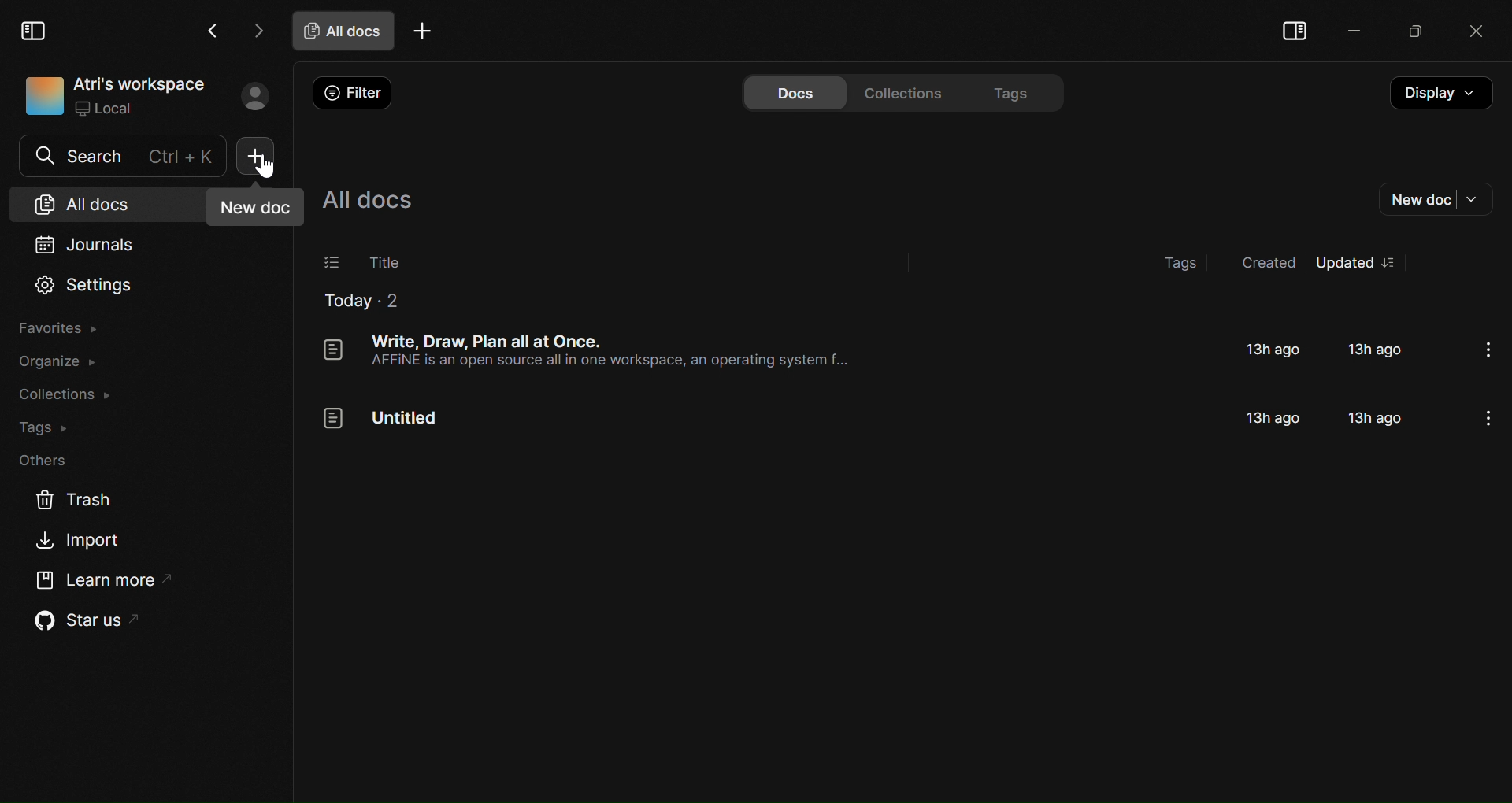  What do you see at coordinates (96, 203) in the screenshot?
I see `All docs` at bounding box center [96, 203].